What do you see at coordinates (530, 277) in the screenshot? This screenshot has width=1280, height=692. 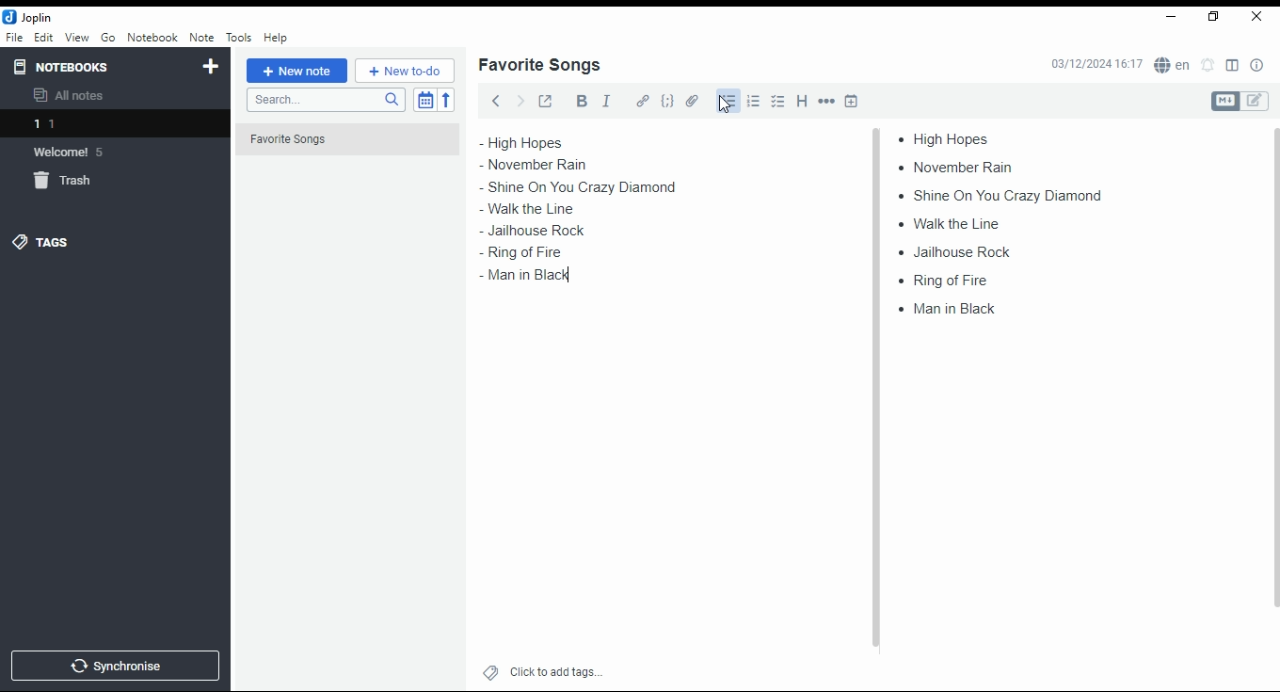 I see `man in black` at bounding box center [530, 277].